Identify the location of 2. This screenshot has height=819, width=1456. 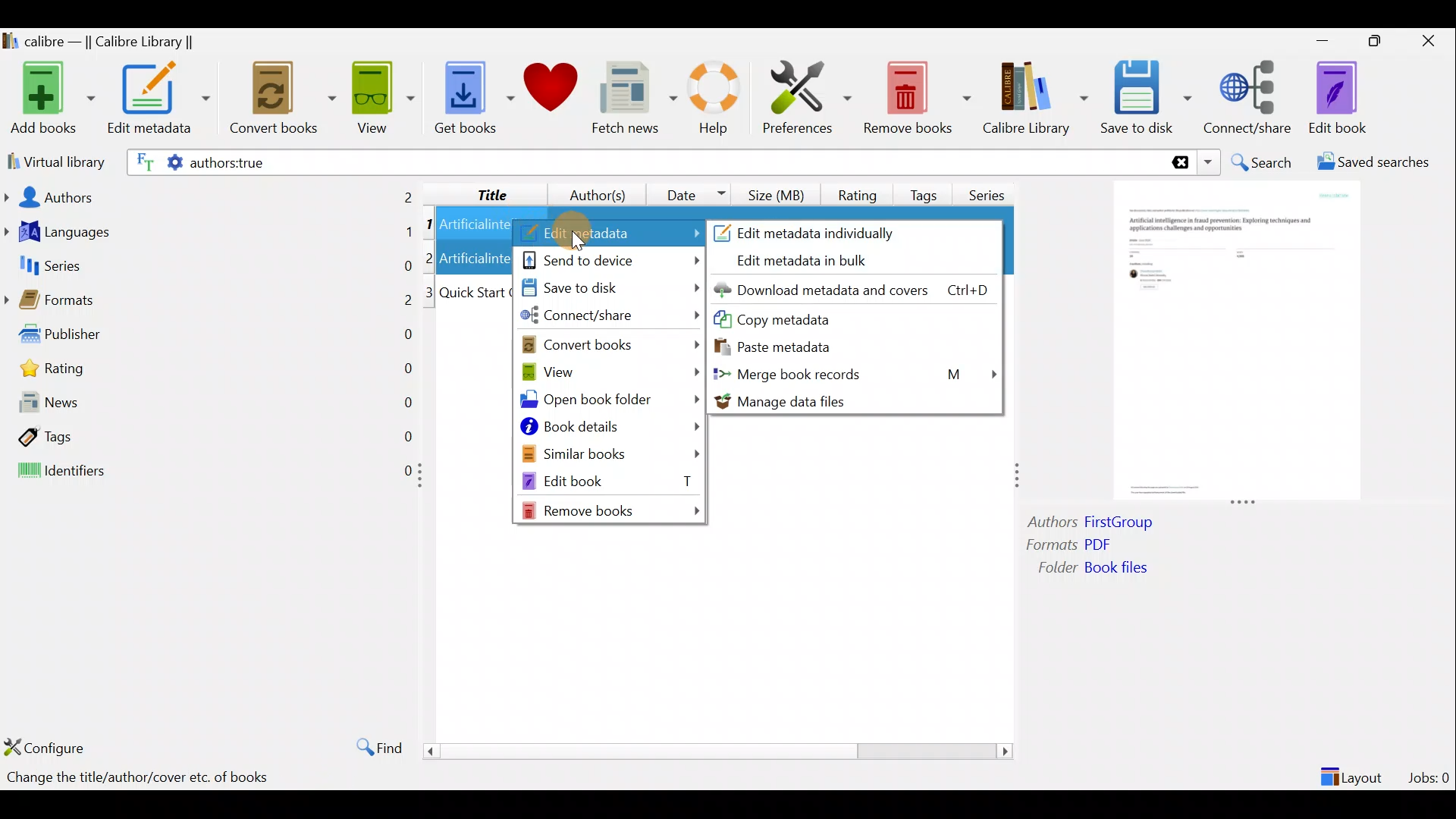
(431, 257).